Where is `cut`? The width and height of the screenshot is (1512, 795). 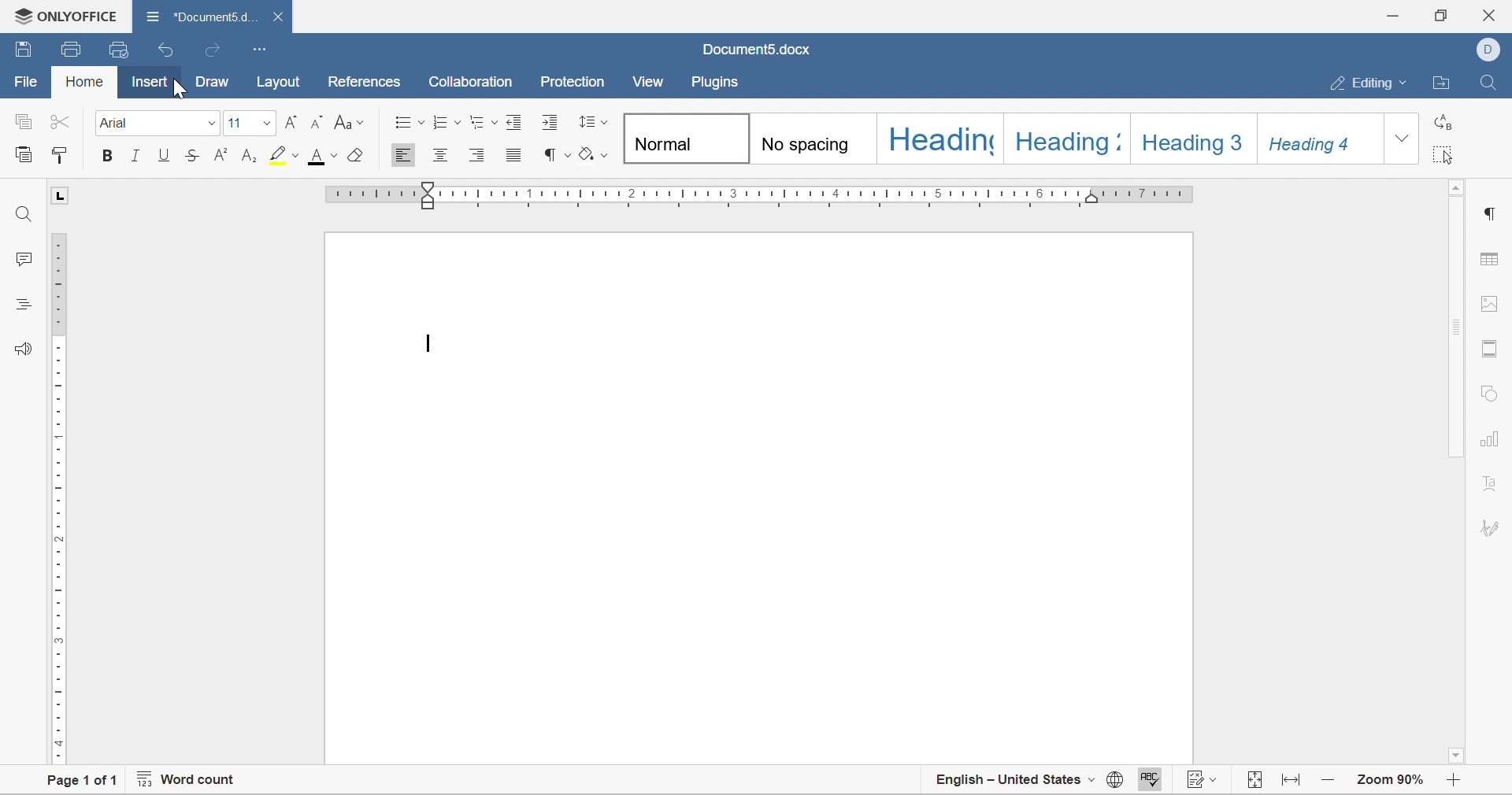 cut is located at coordinates (57, 123).